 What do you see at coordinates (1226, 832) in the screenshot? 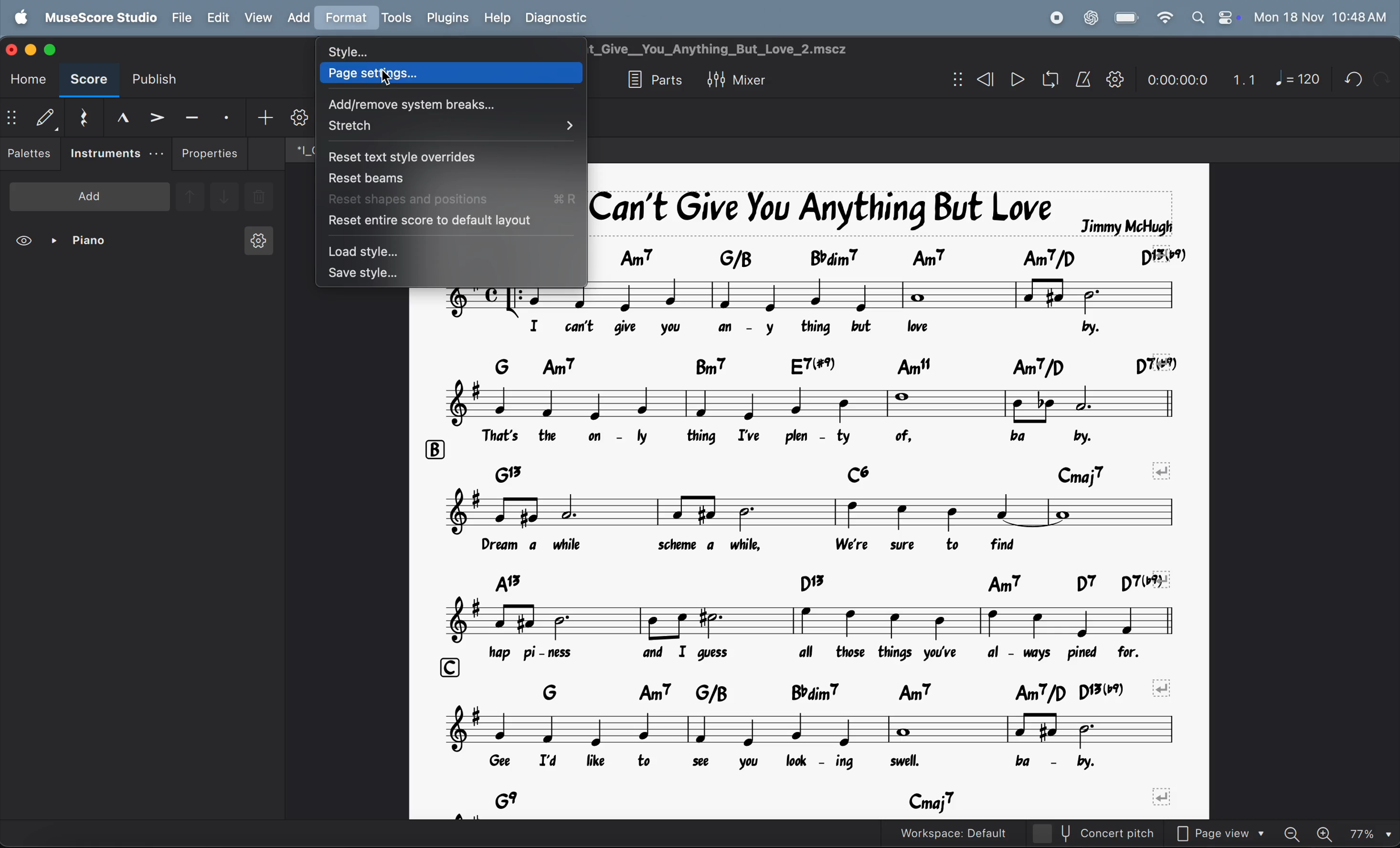
I see `page view` at bounding box center [1226, 832].